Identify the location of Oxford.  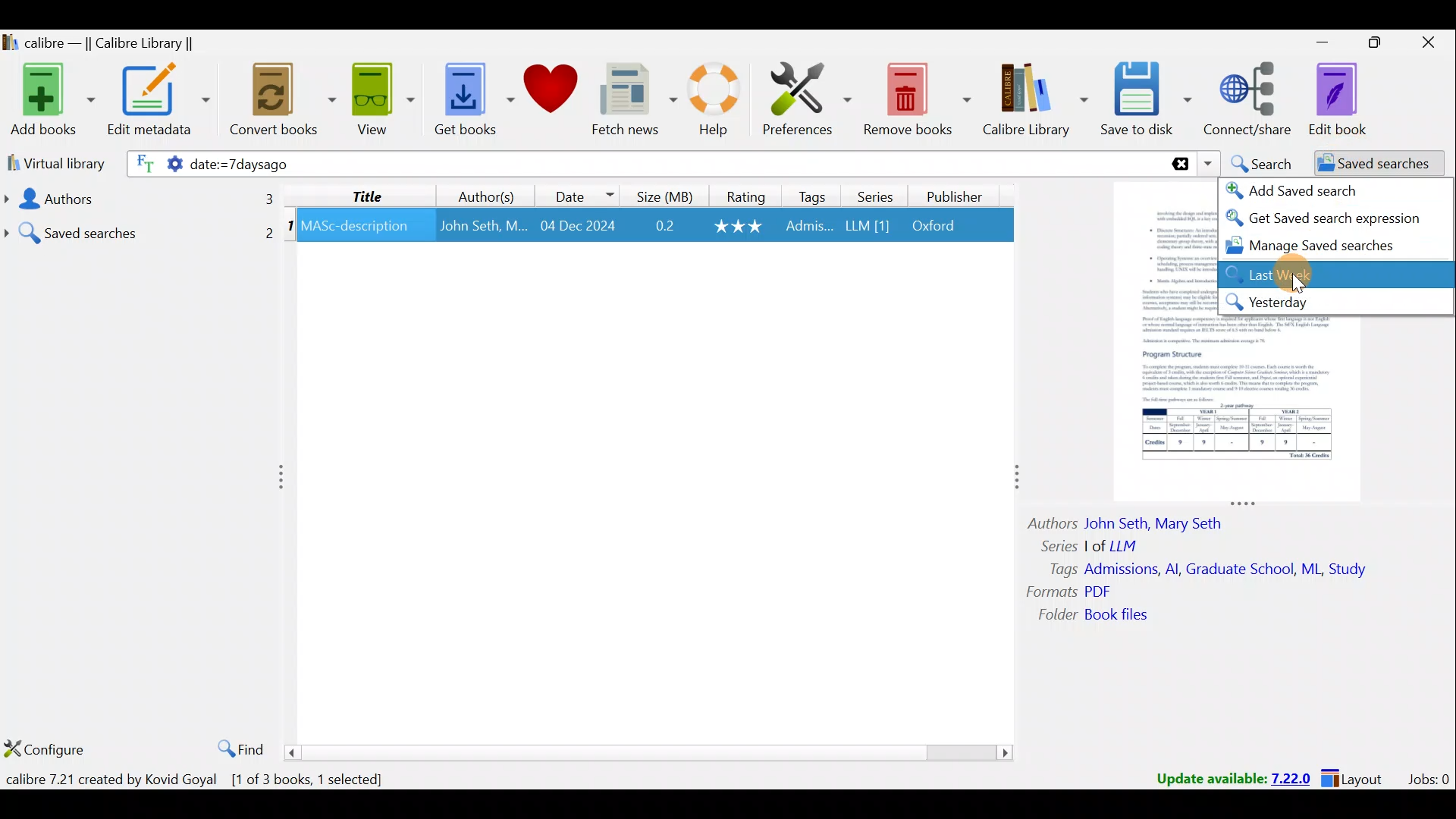
(941, 226).